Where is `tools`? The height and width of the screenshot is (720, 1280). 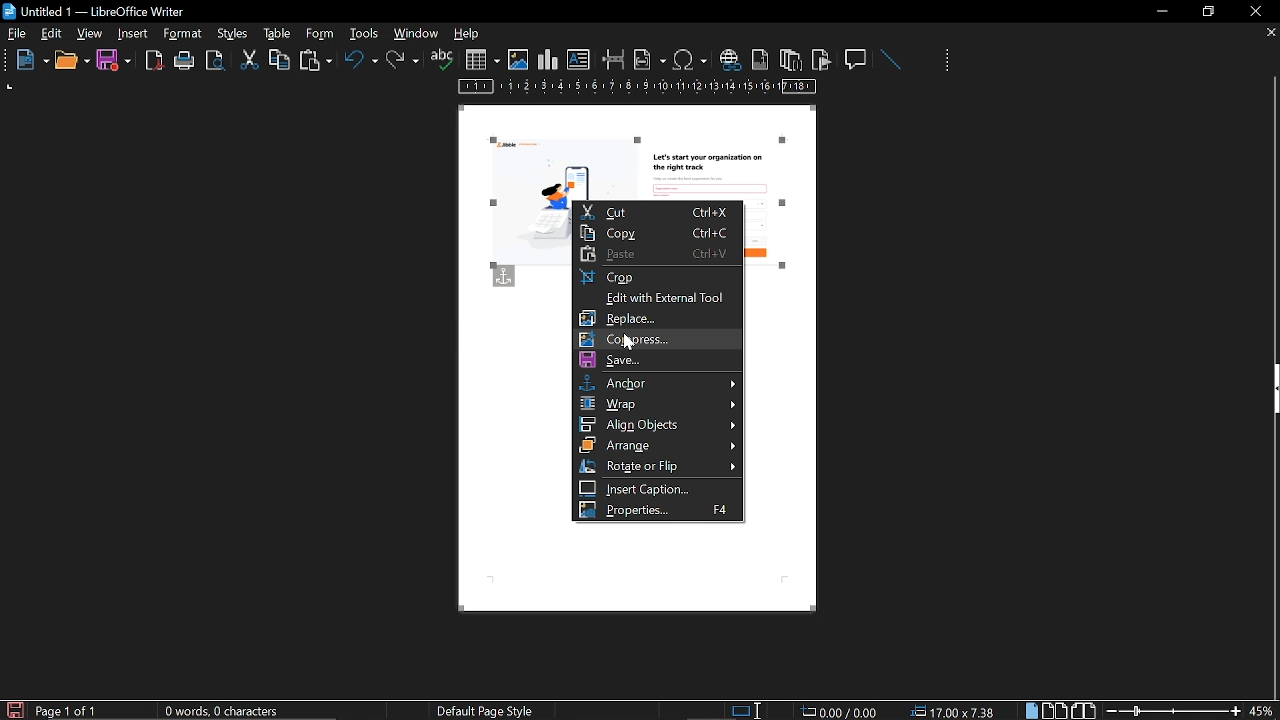 tools is located at coordinates (186, 34).